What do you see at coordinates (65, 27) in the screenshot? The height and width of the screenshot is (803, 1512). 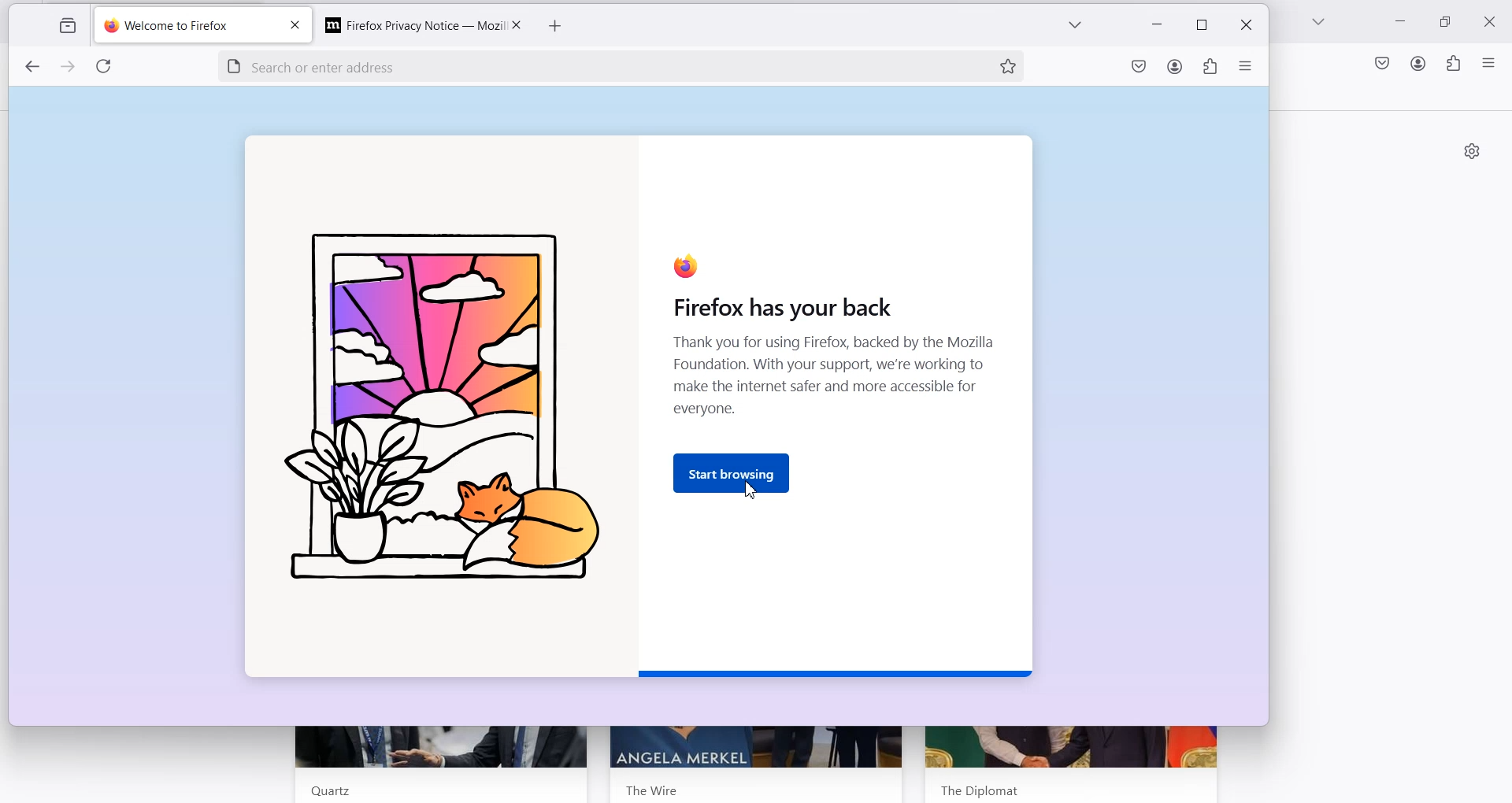 I see `view recent browsing` at bounding box center [65, 27].